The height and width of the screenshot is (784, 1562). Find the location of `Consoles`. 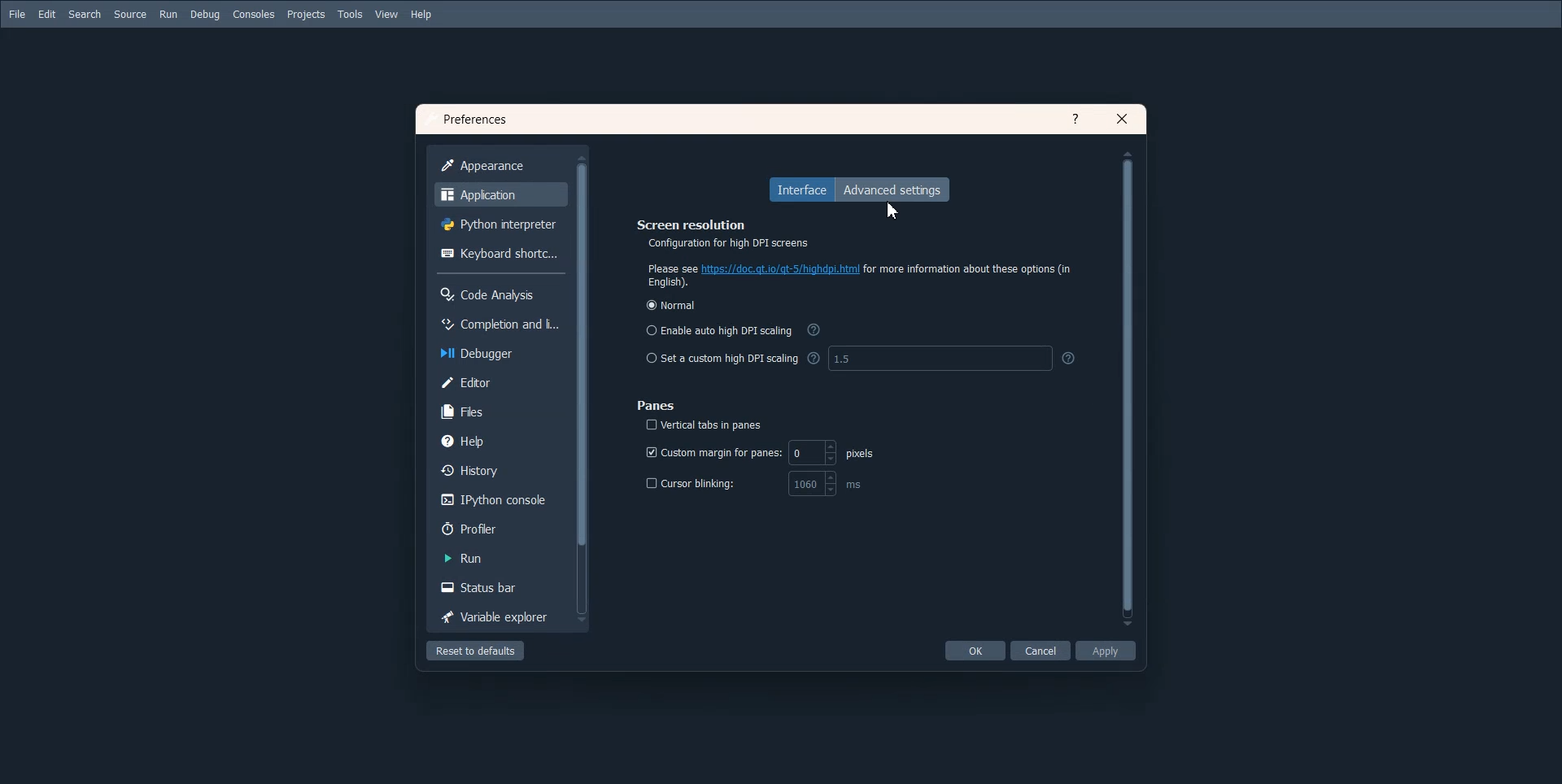

Consoles is located at coordinates (254, 15).